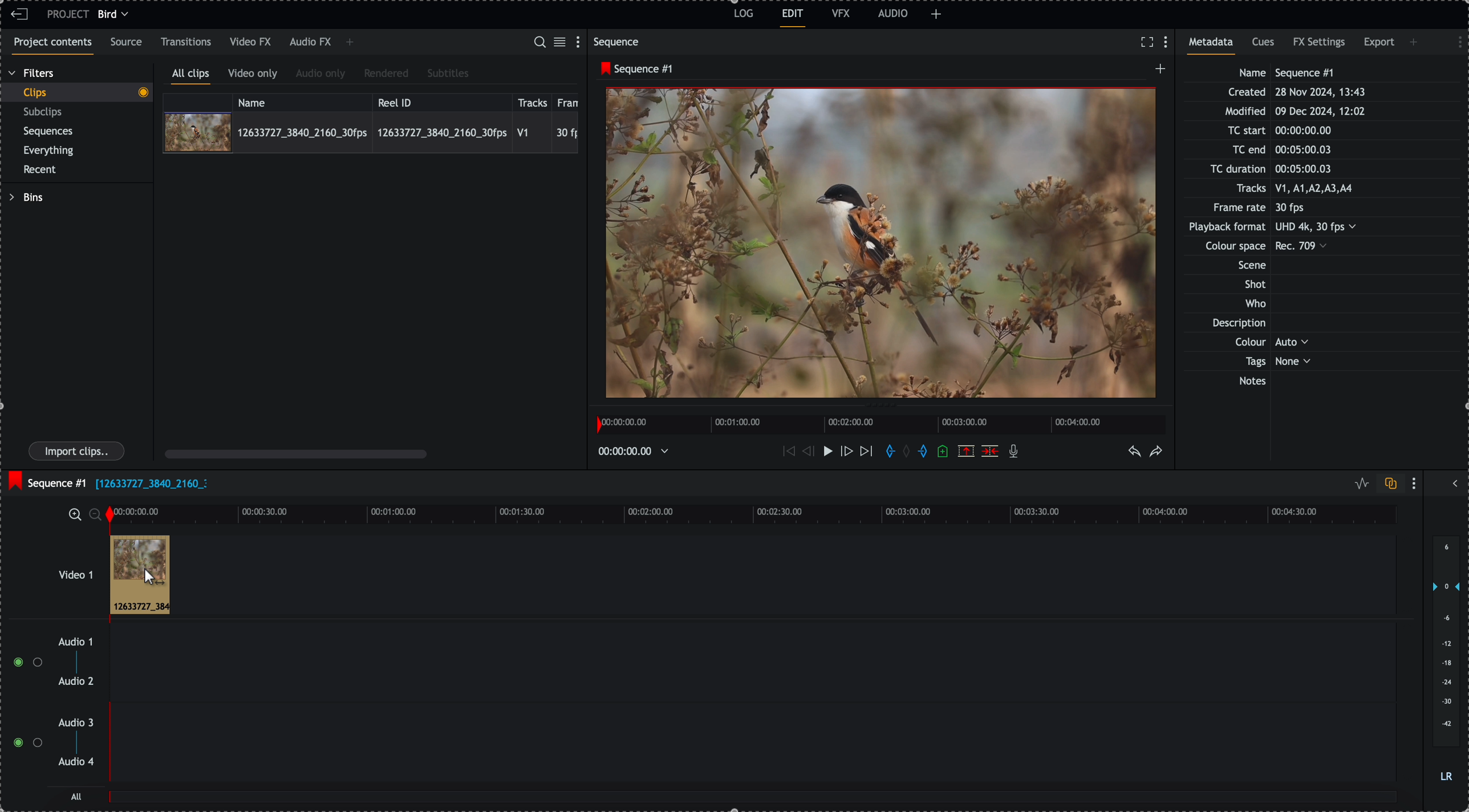 The width and height of the screenshot is (1469, 812). I want to click on enable tracks, so click(23, 703).